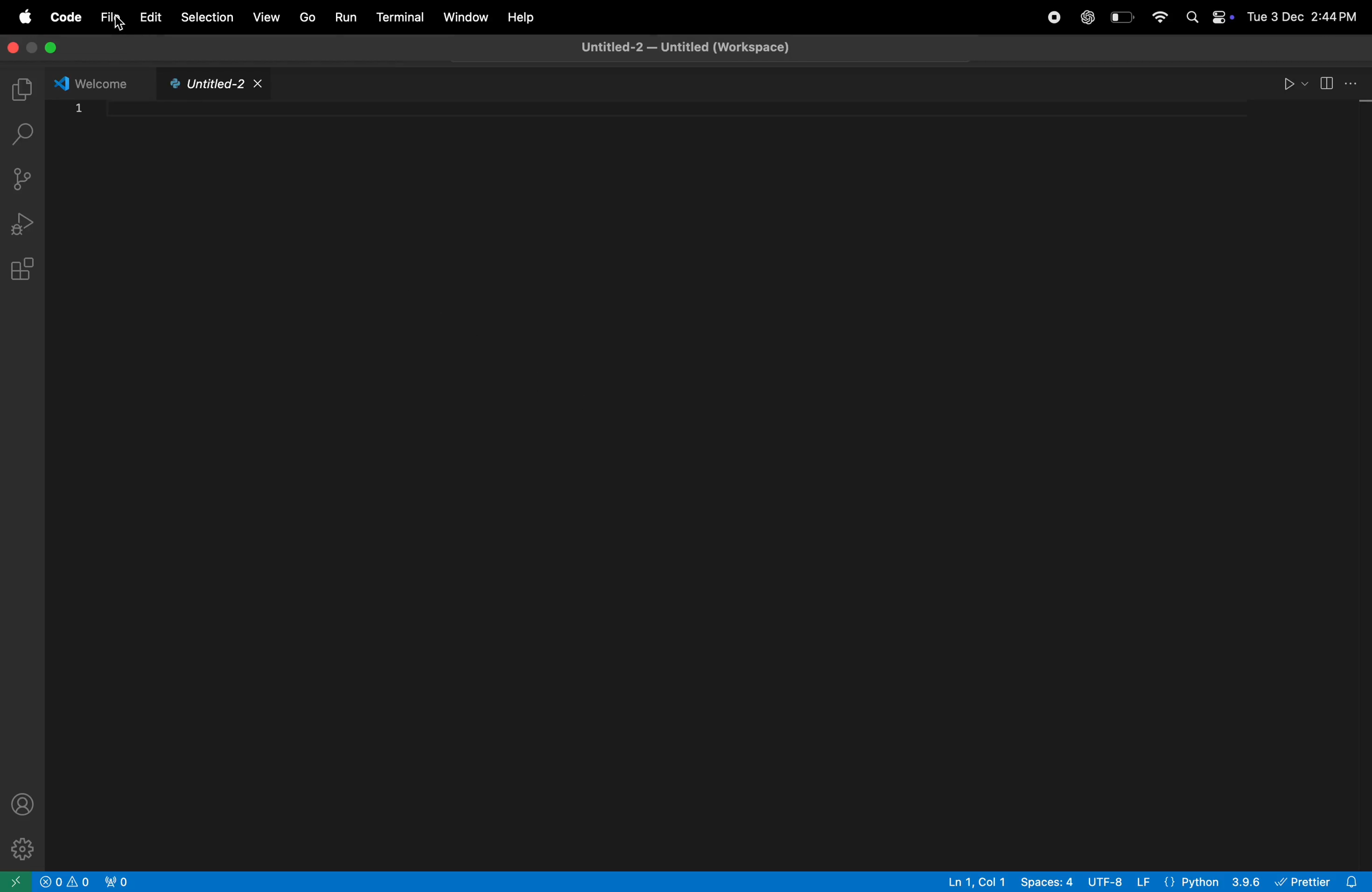 Image resolution: width=1372 pixels, height=892 pixels. I want to click on selection, so click(208, 17).